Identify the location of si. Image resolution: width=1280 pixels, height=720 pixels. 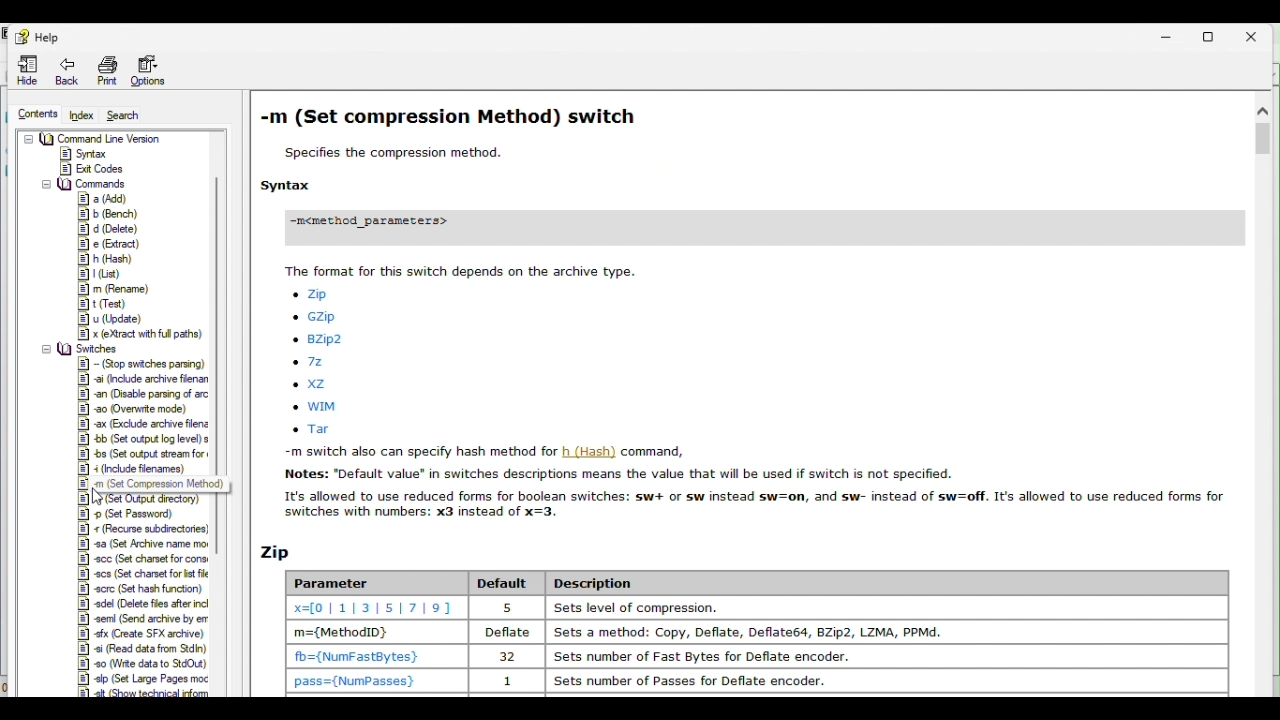
(142, 650).